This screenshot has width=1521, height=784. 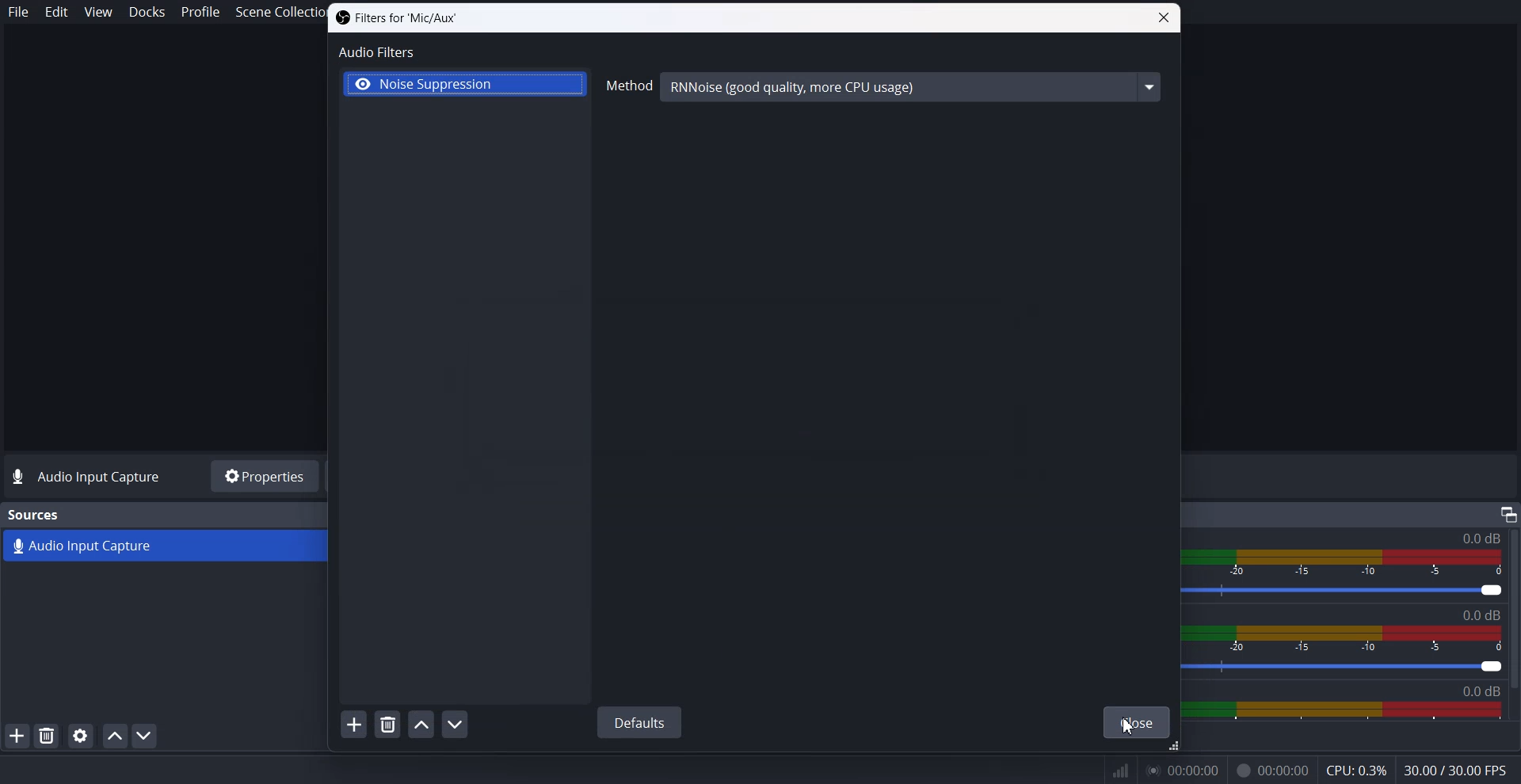 What do you see at coordinates (17, 735) in the screenshot?
I see `Add Source` at bounding box center [17, 735].